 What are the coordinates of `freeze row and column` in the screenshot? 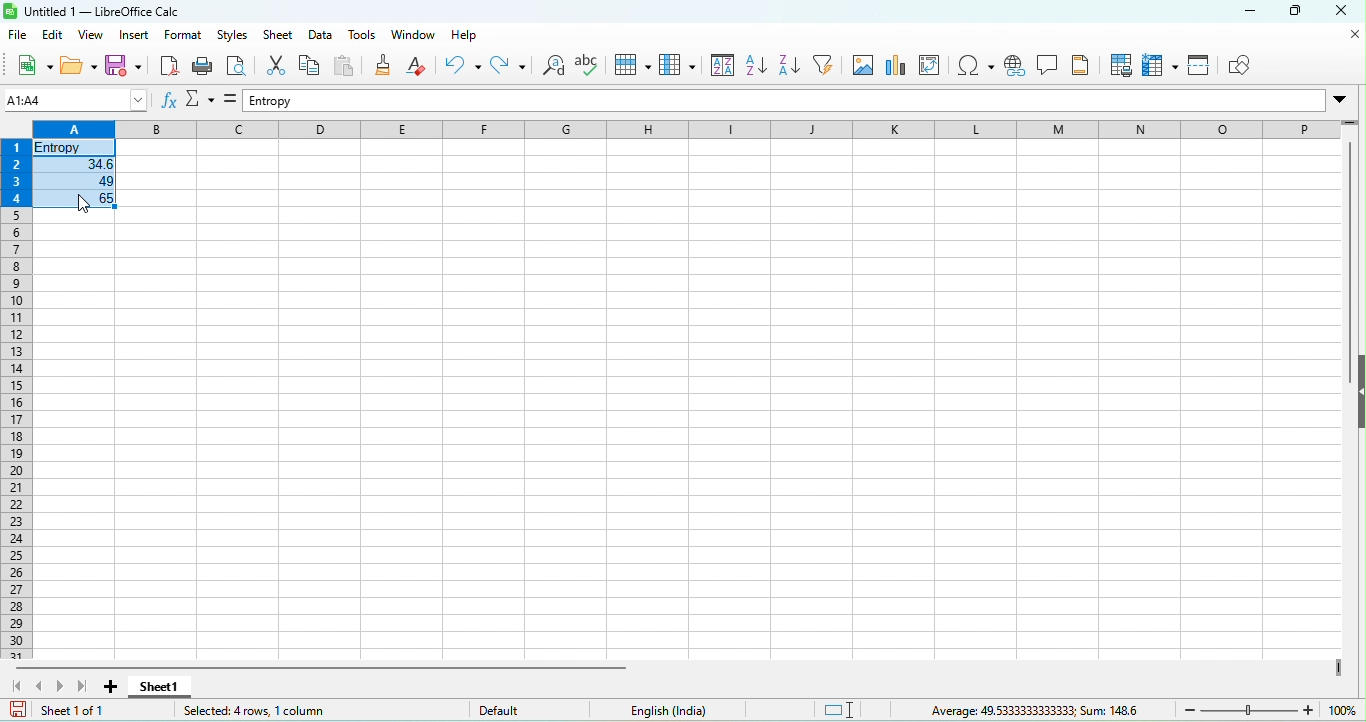 It's located at (1158, 68).